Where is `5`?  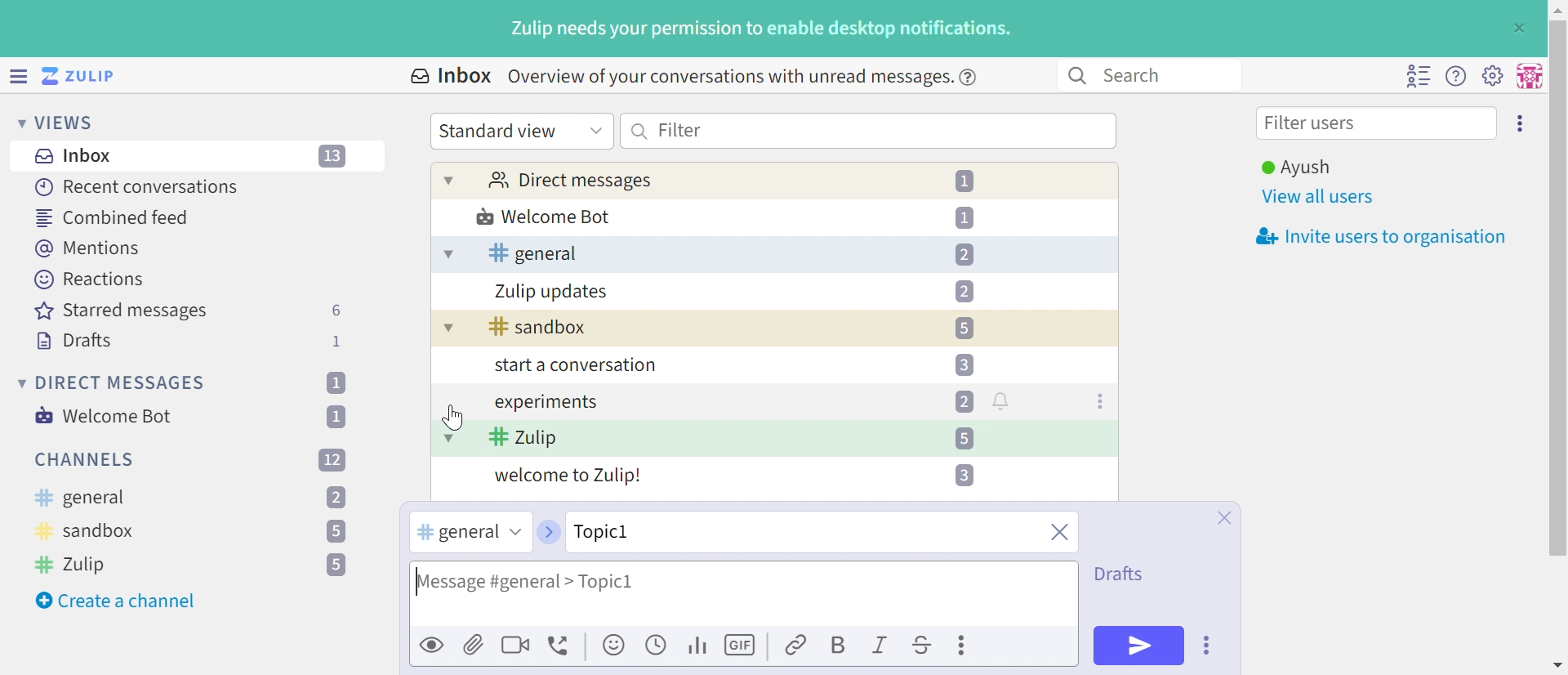 5 is located at coordinates (336, 565).